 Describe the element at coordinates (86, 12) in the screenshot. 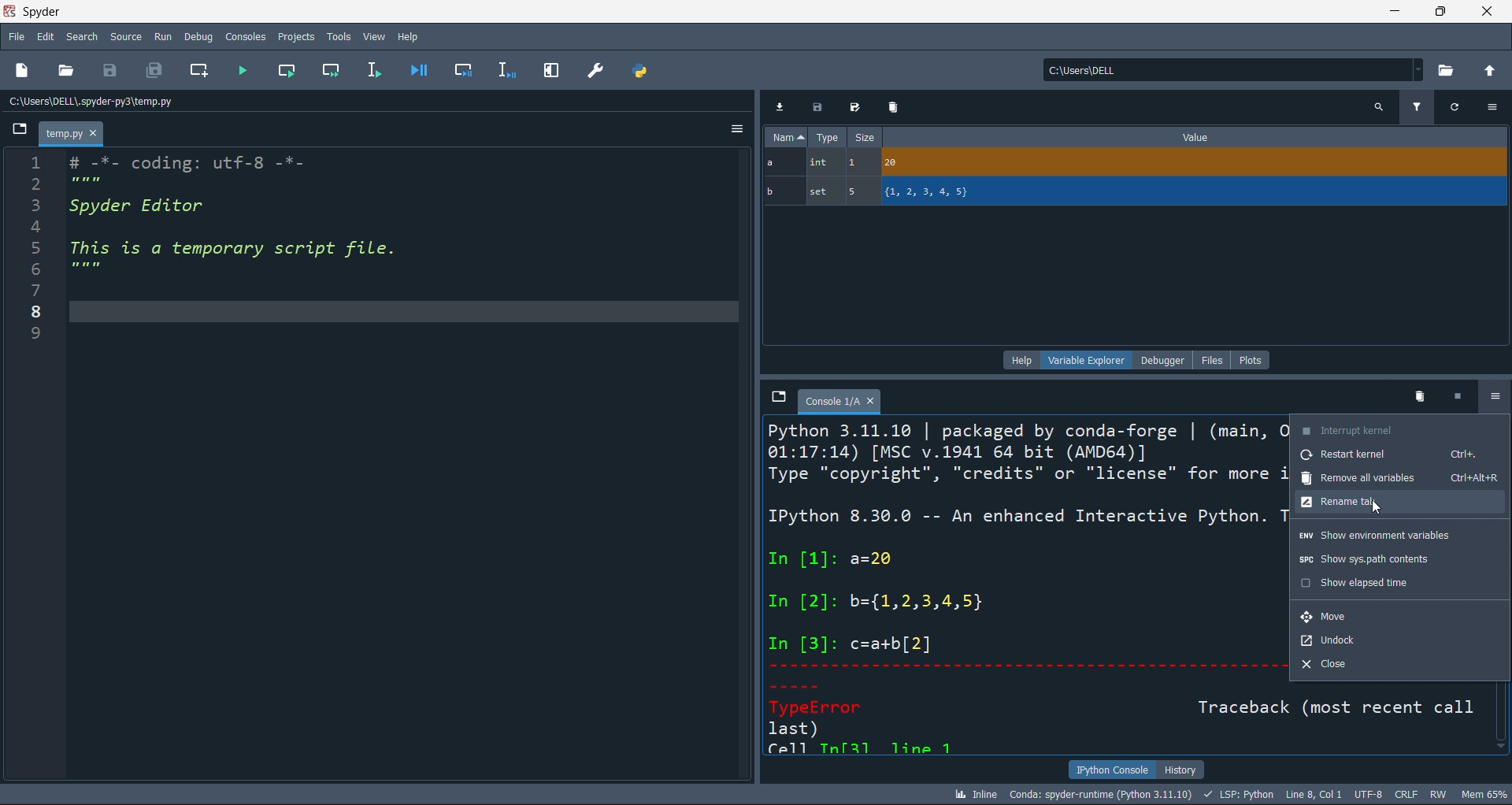

I see `Spyder` at that location.